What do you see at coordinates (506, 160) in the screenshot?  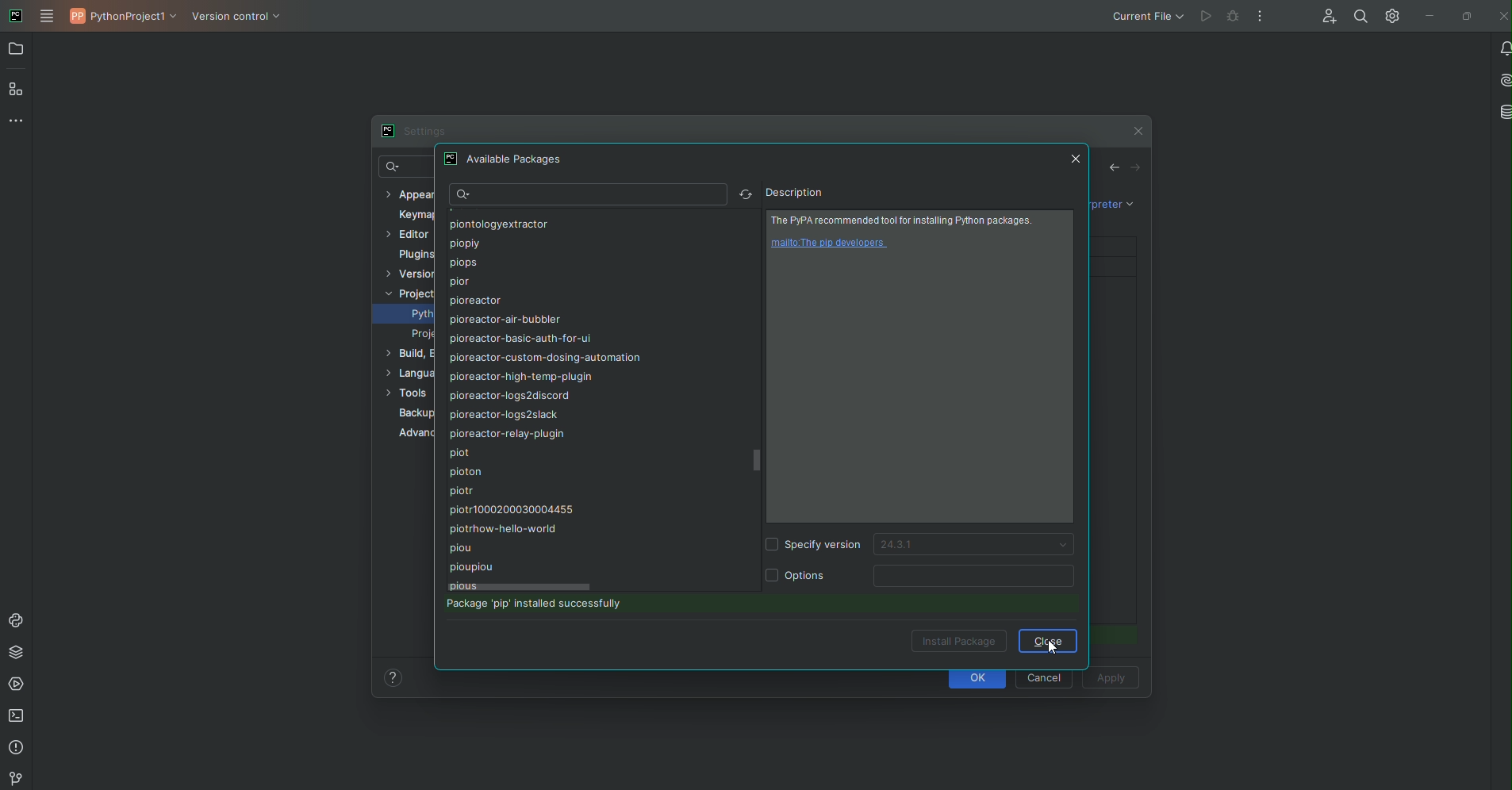 I see `Available Packages` at bounding box center [506, 160].